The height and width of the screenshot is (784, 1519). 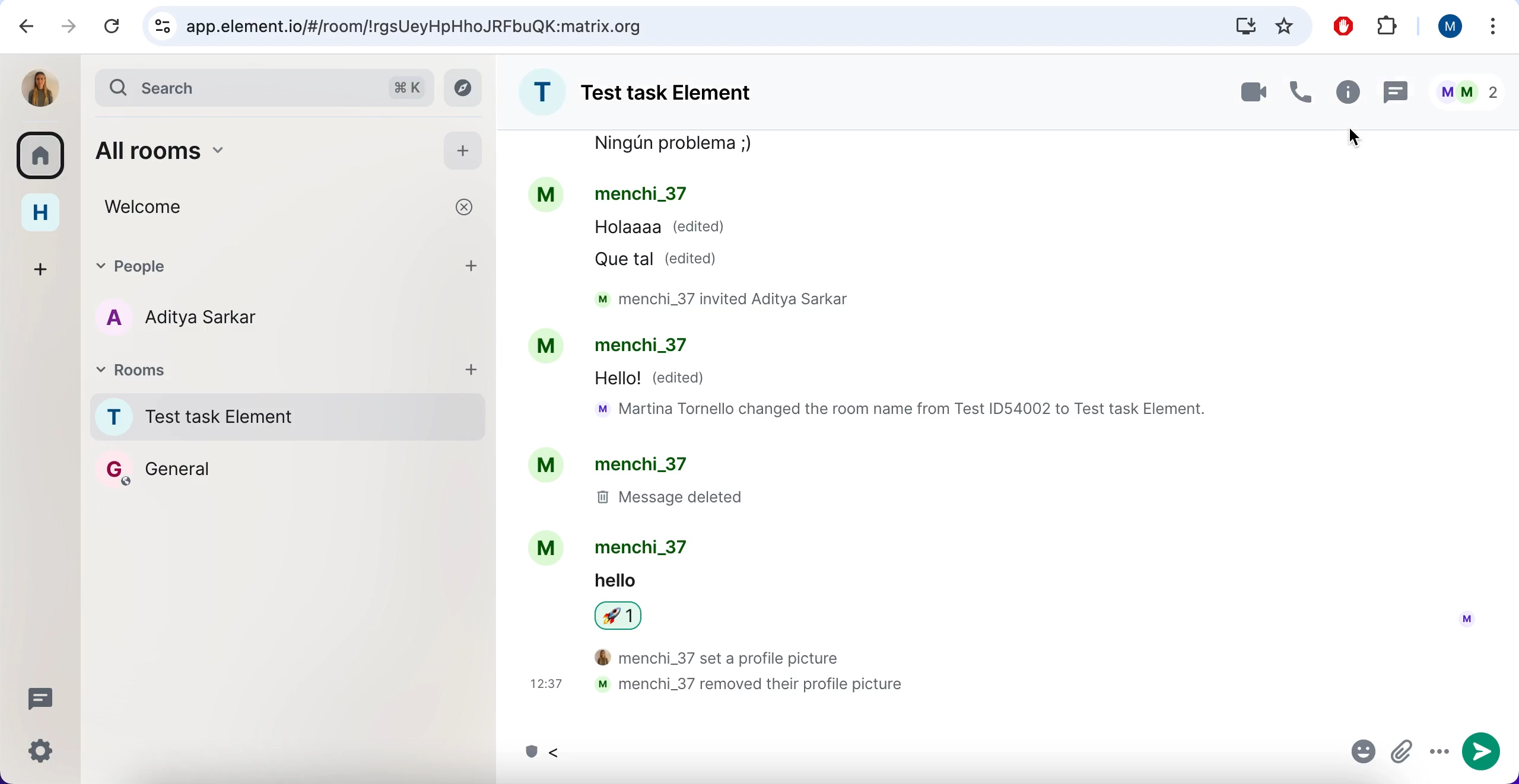 What do you see at coordinates (1472, 93) in the screenshot?
I see `` at bounding box center [1472, 93].